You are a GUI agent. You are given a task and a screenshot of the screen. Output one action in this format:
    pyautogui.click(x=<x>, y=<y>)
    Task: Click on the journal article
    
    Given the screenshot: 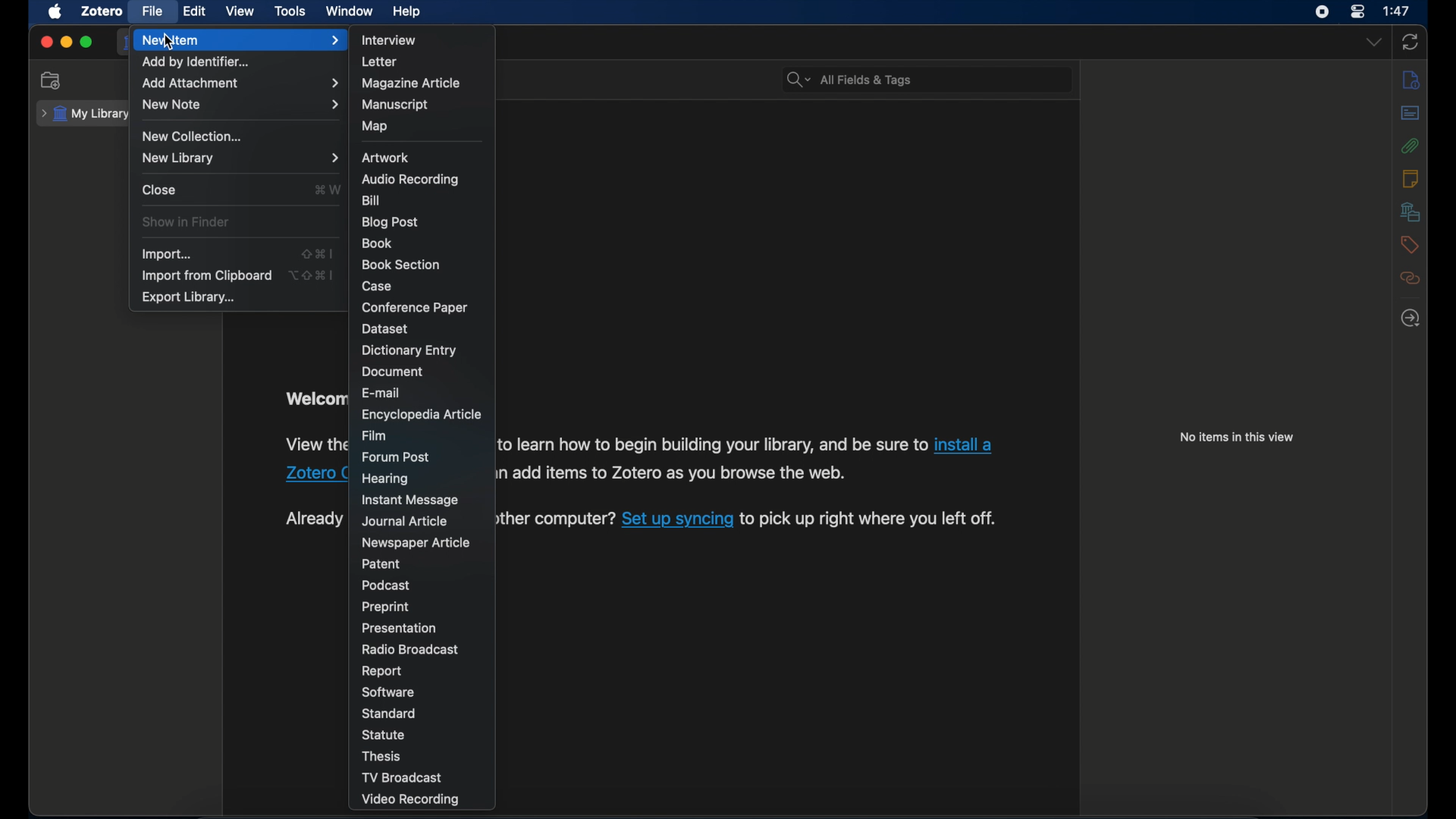 What is the action you would take?
    pyautogui.click(x=406, y=522)
    